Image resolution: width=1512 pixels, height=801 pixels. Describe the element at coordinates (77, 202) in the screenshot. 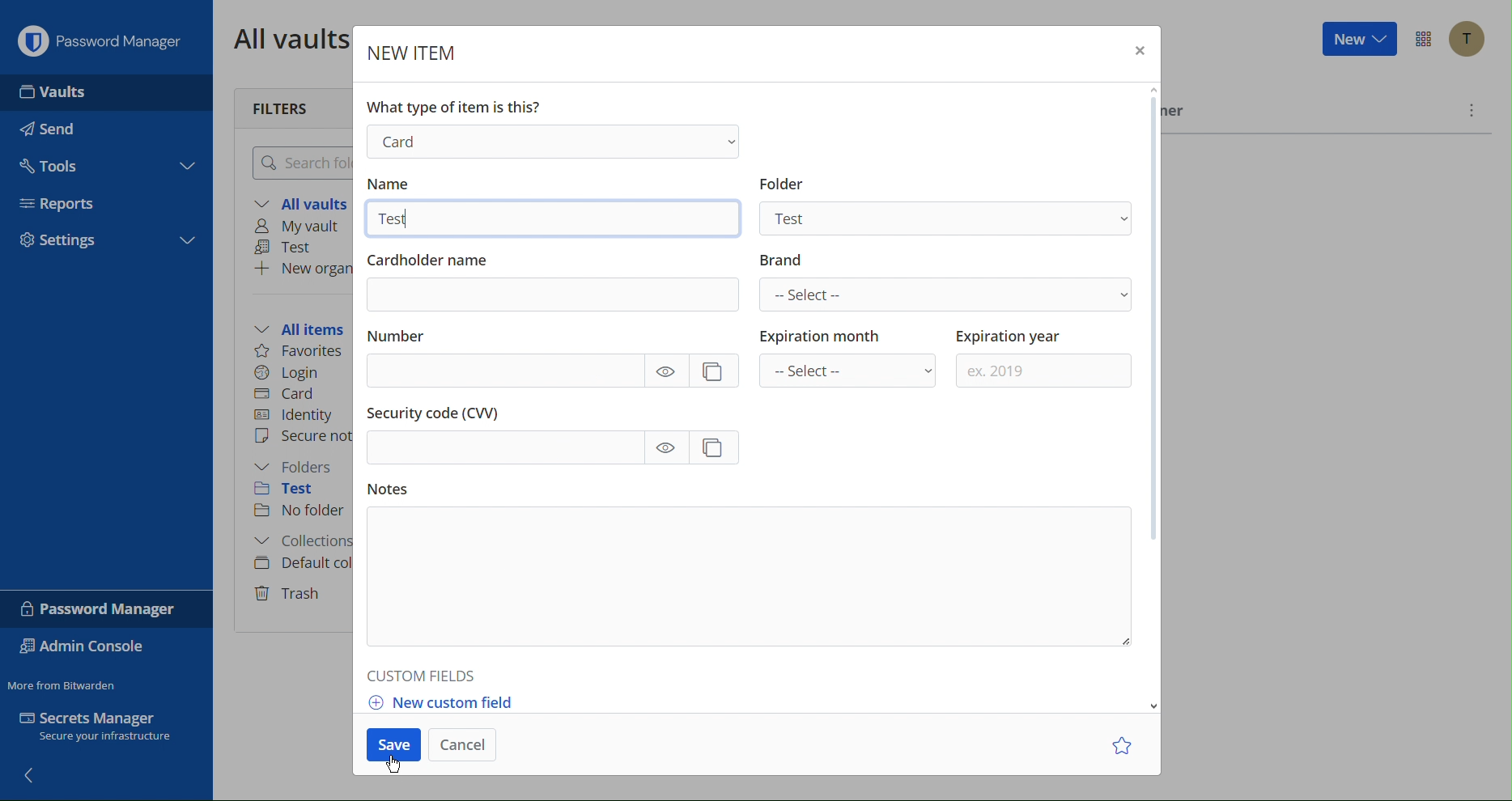

I see `Reports` at that location.